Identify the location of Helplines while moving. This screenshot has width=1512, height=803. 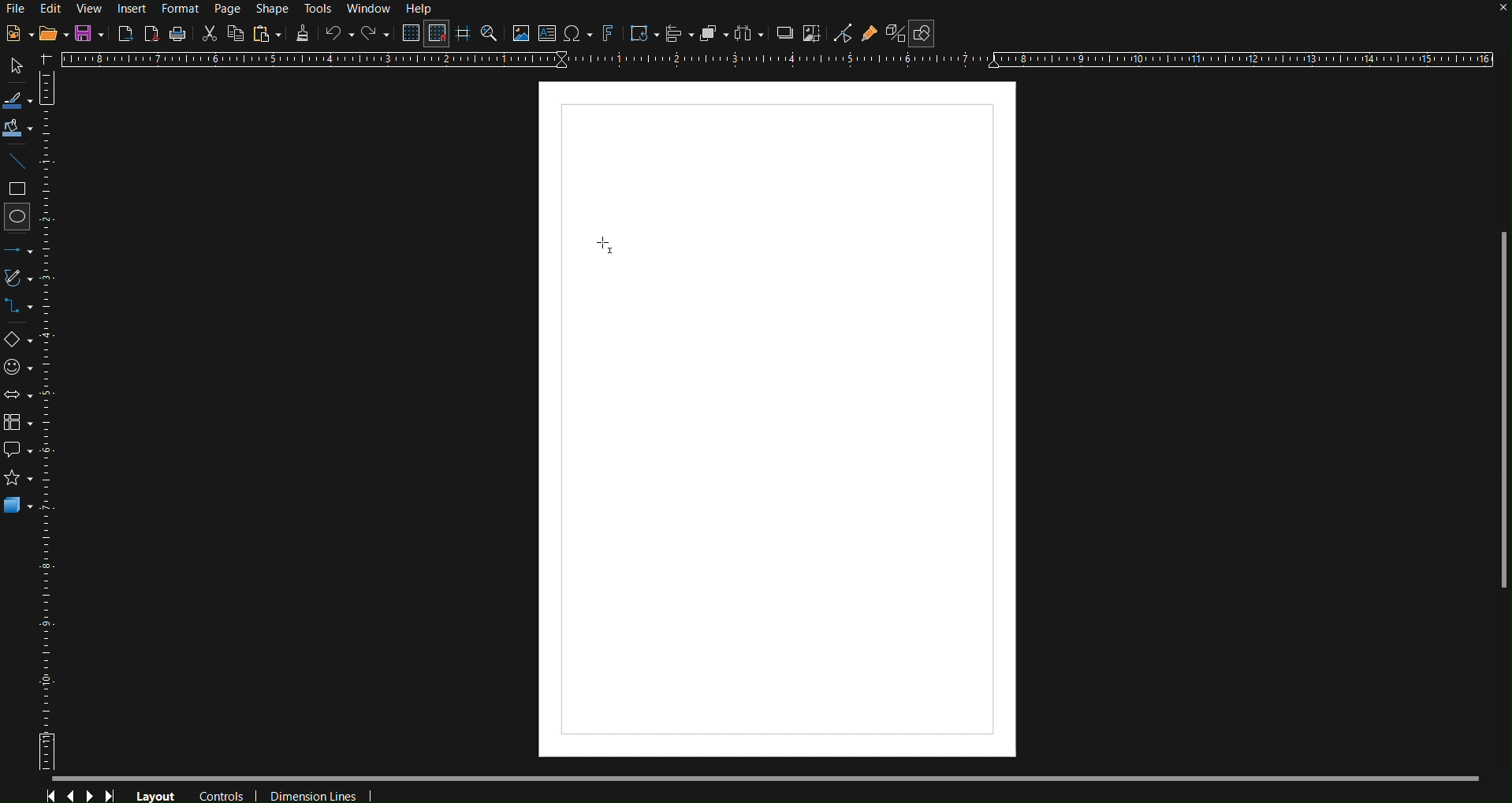
(462, 34).